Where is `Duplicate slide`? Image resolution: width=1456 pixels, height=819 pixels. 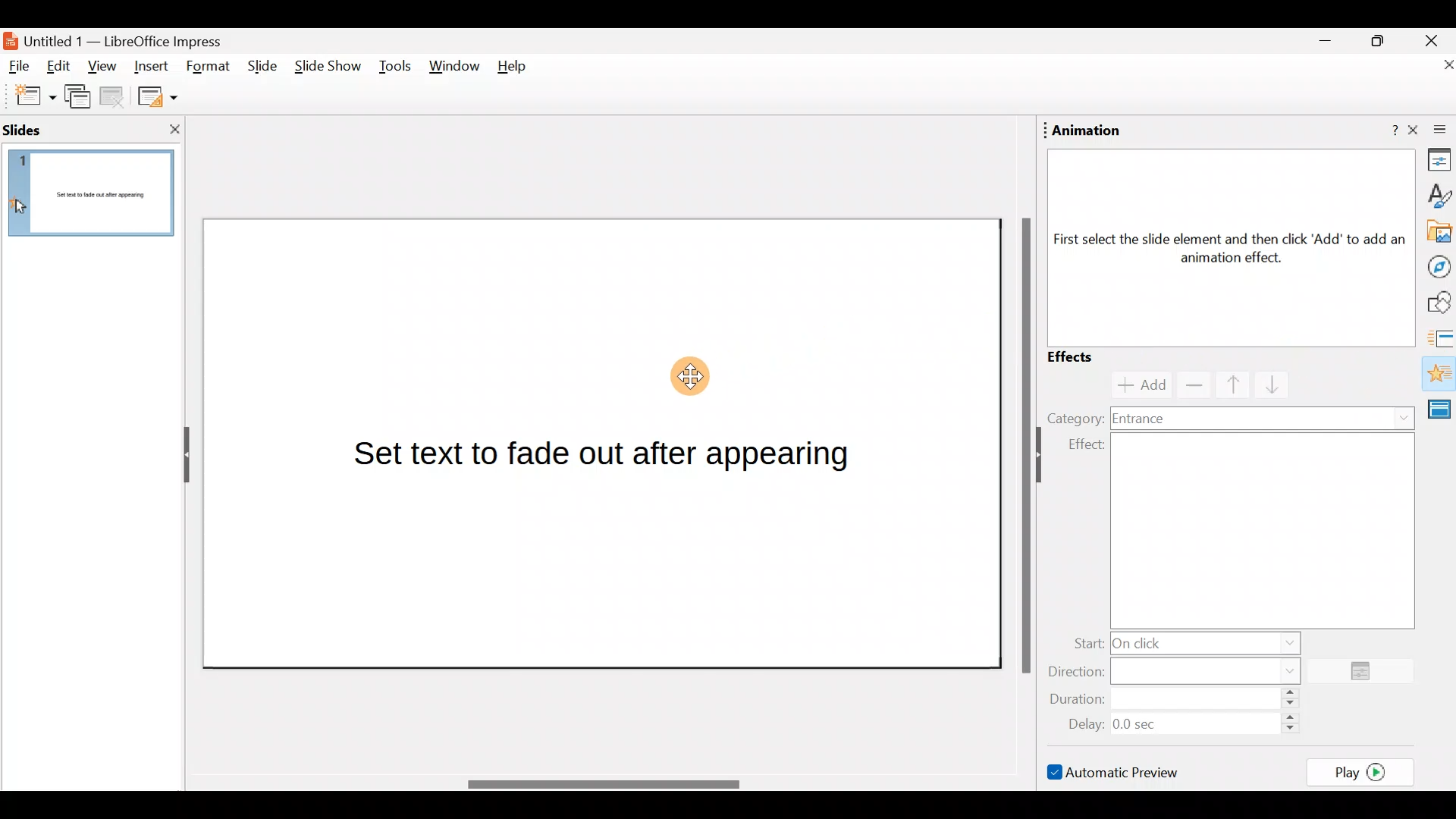 Duplicate slide is located at coordinates (80, 99).